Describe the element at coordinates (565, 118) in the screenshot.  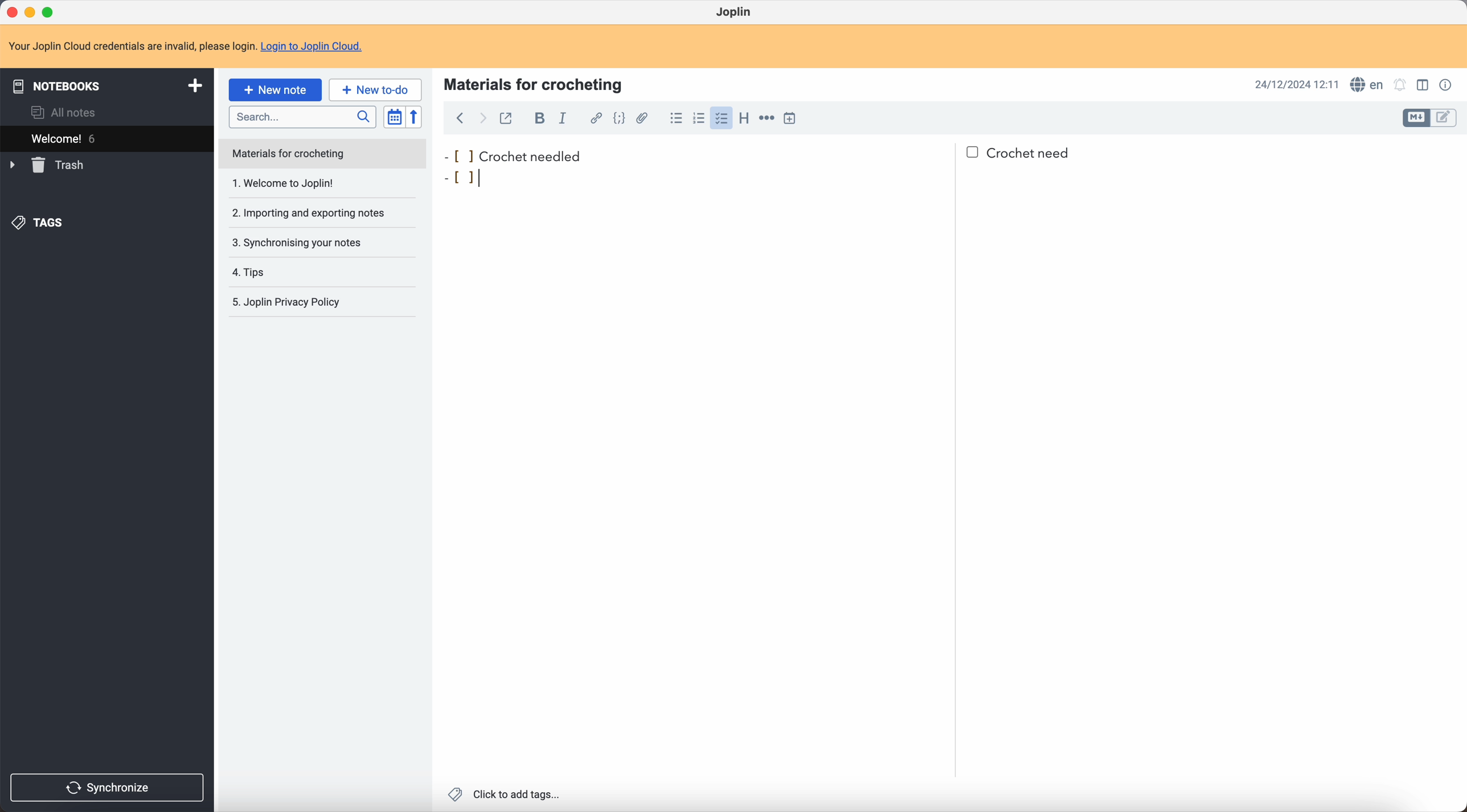
I see `italic` at that location.